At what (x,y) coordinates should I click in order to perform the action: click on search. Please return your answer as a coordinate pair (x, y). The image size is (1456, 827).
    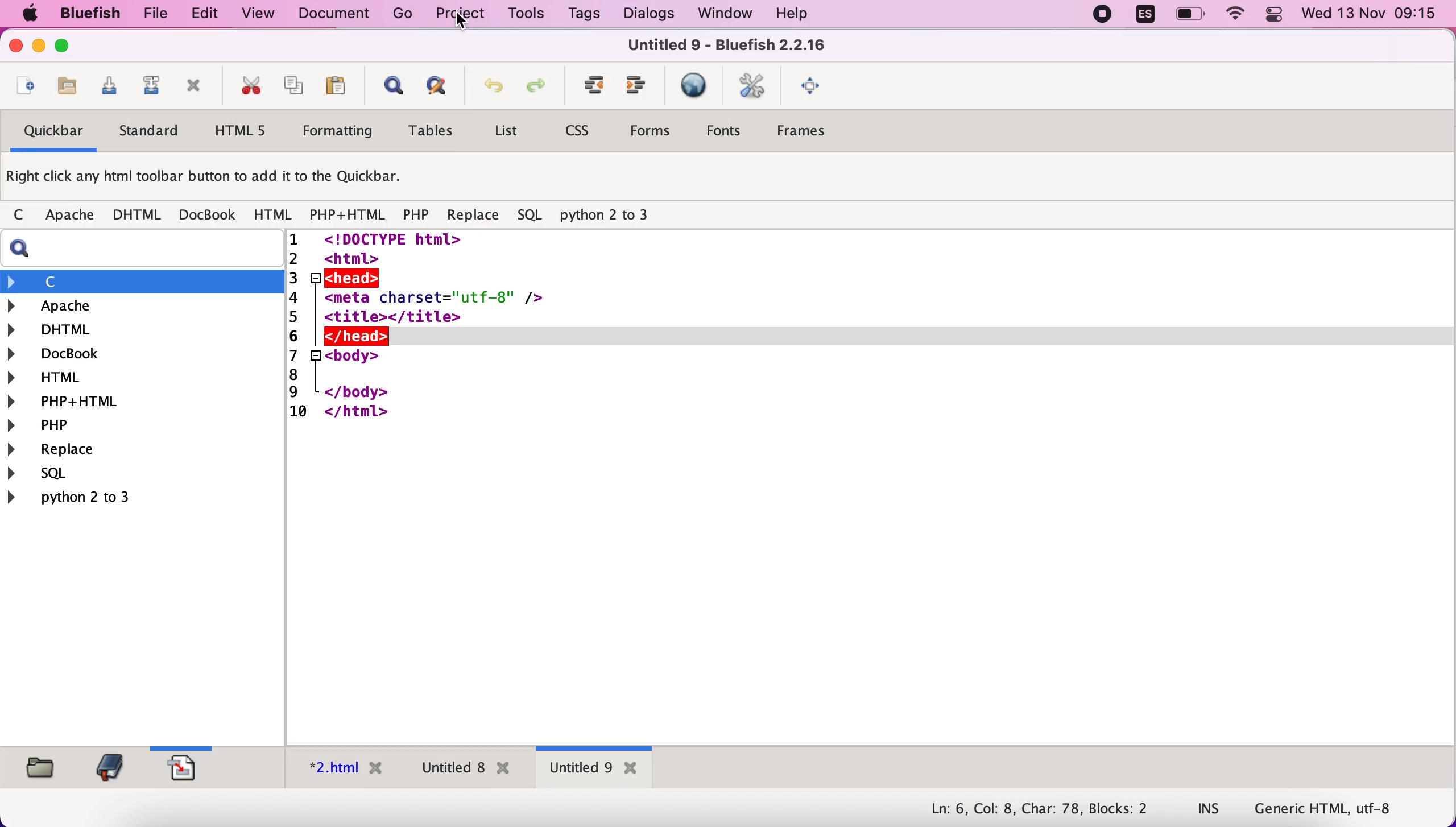
    Looking at the image, I should click on (147, 249).